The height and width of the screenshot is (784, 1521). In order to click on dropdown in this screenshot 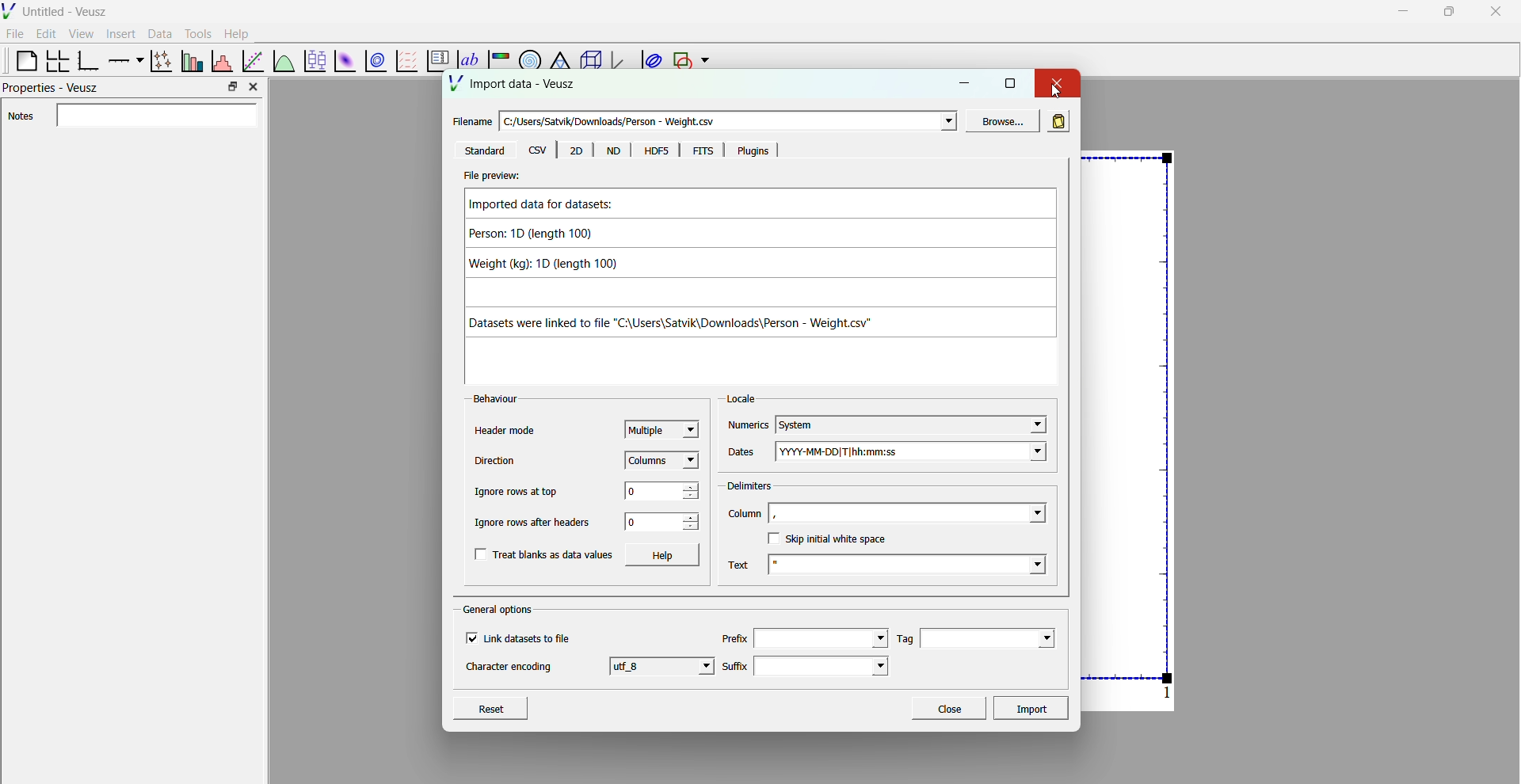, I will do `click(946, 121)`.